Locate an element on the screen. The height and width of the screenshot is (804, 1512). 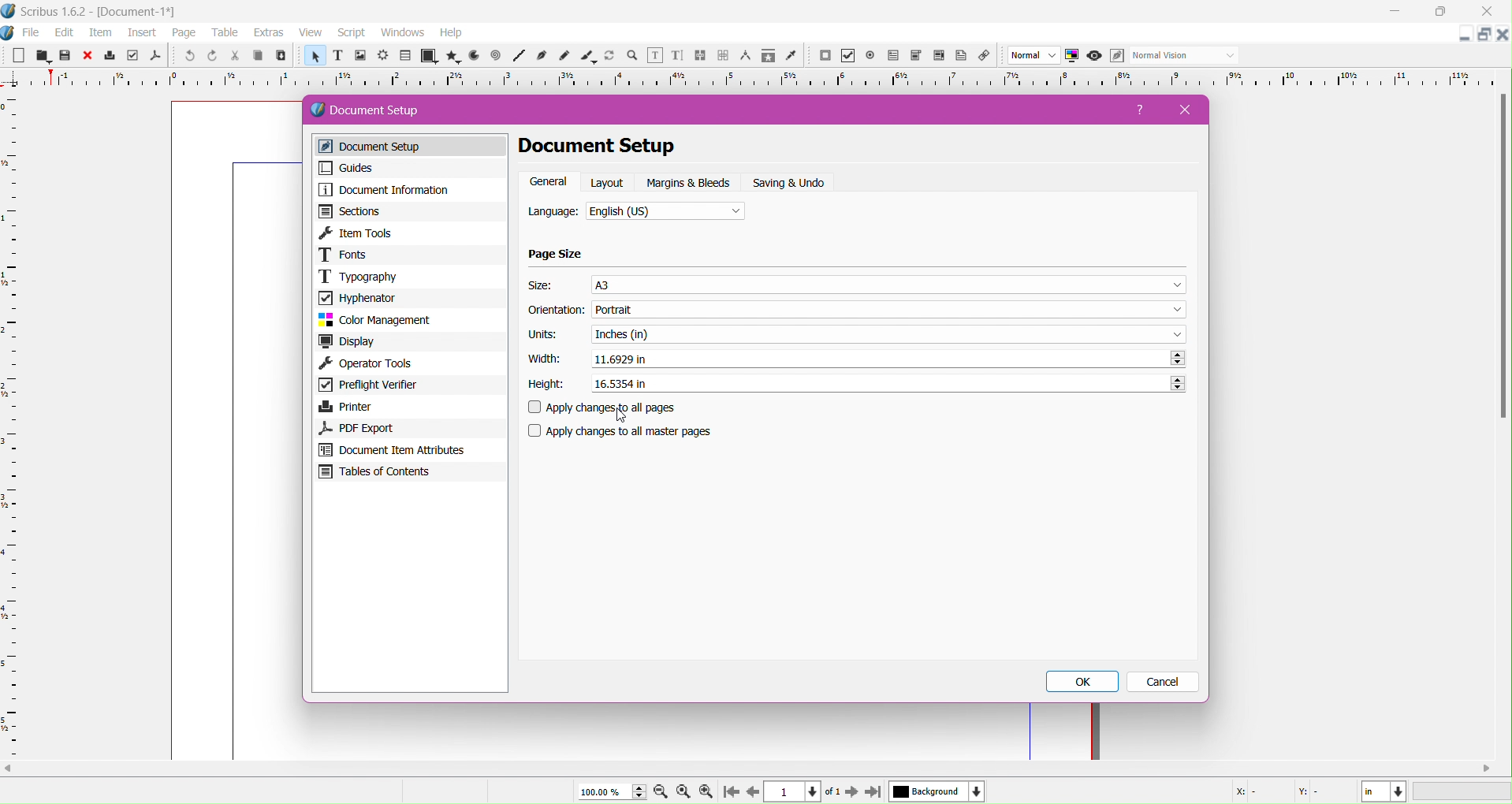
background is located at coordinates (937, 791).